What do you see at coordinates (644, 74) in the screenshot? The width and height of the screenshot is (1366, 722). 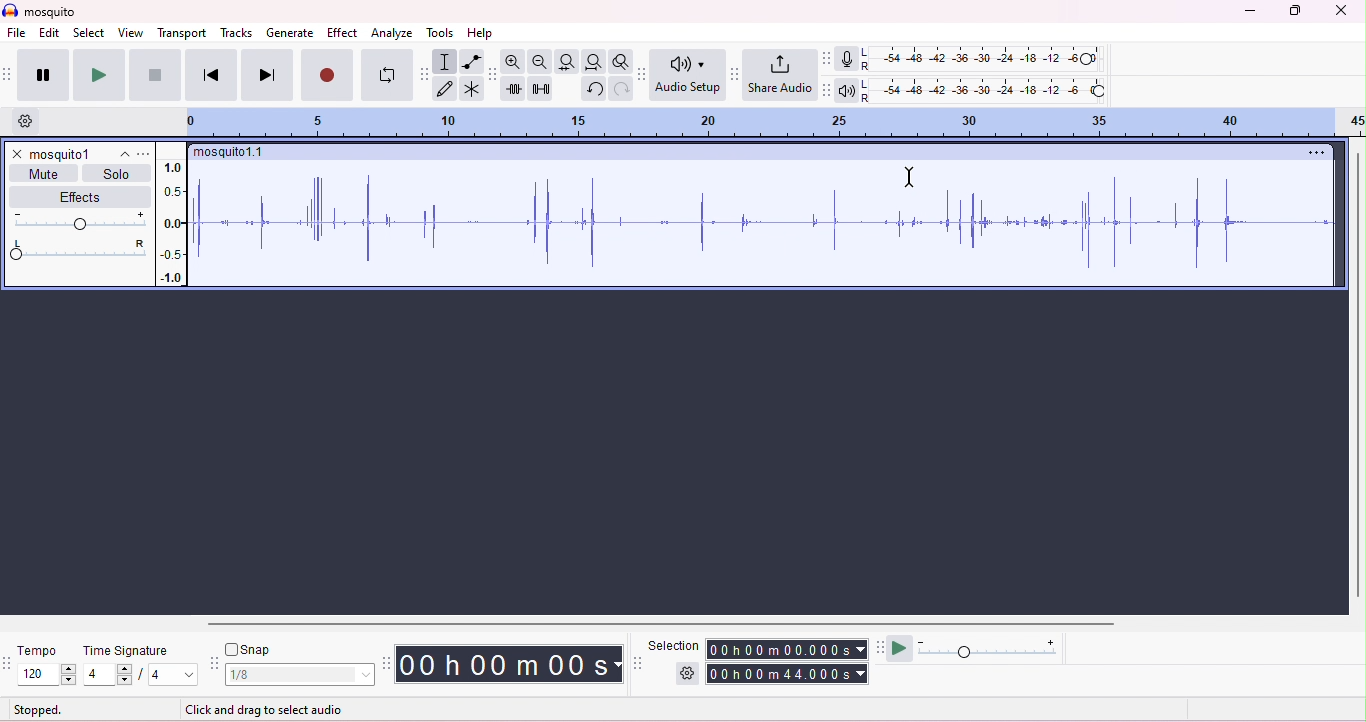 I see `audio set up tool bar` at bounding box center [644, 74].